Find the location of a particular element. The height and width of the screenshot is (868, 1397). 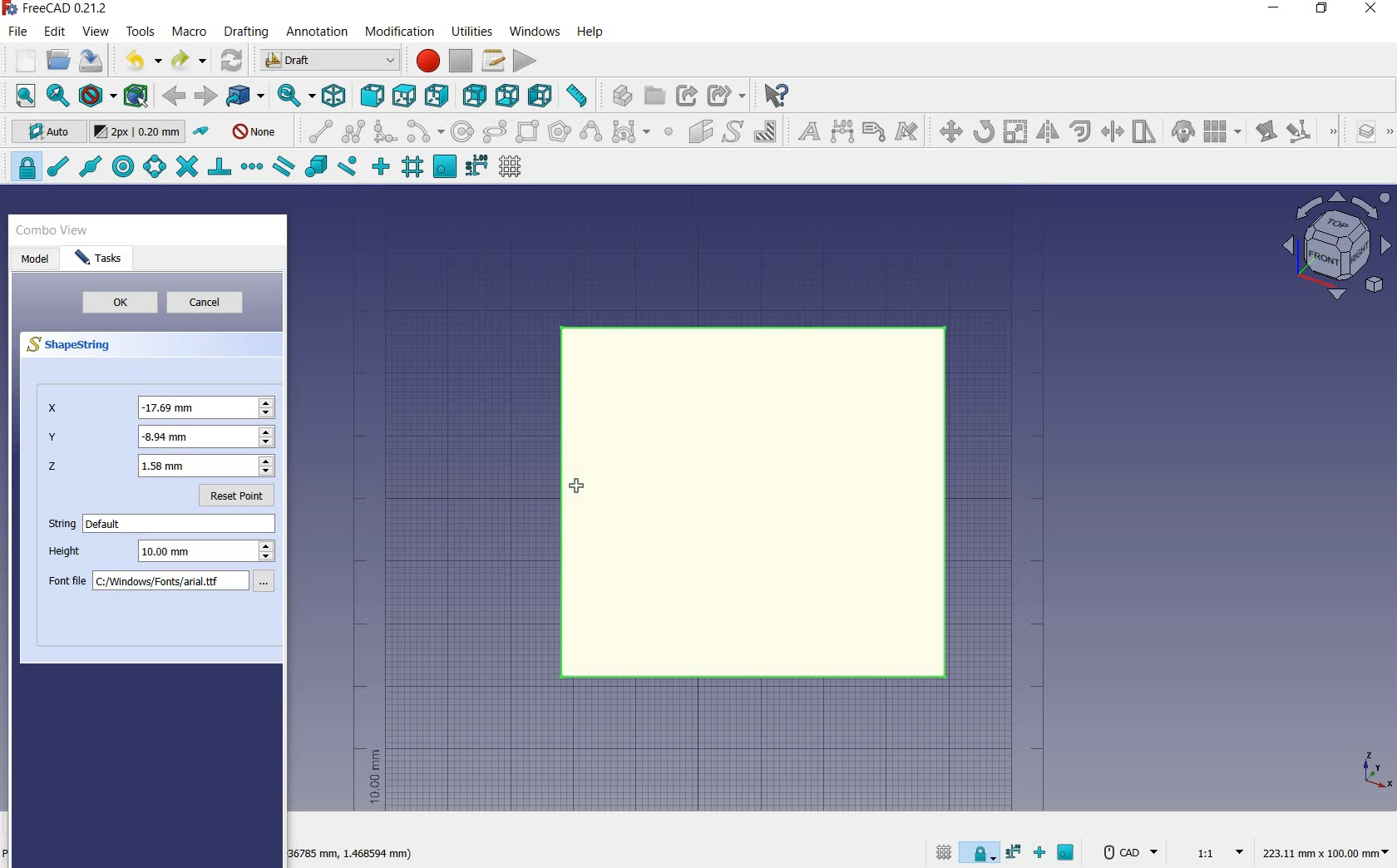

string is located at coordinates (58, 525).